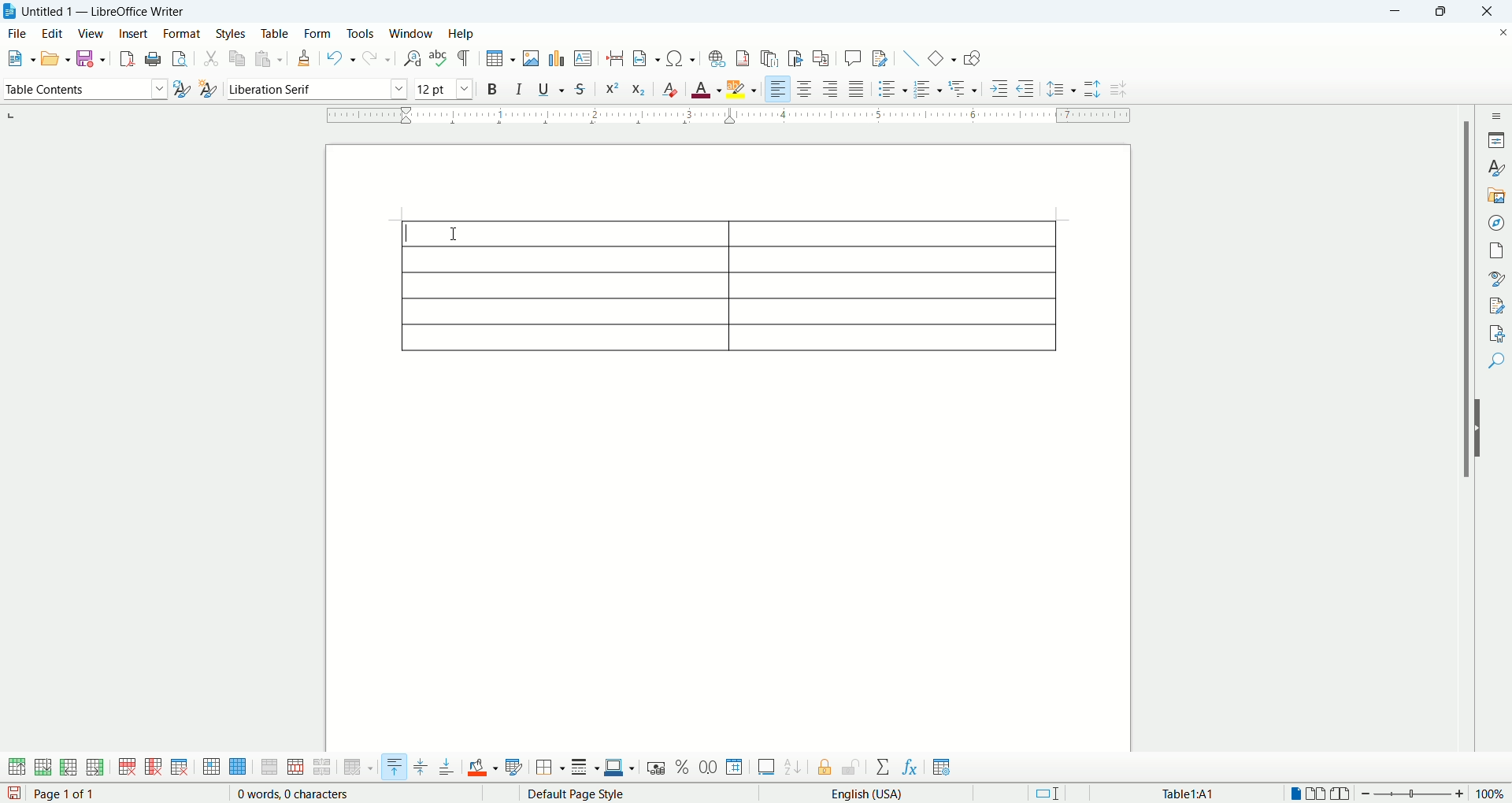 The width and height of the screenshot is (1512, 803). Describe the element at coordinates (1294, 794) in the screenshot. I see `single page view` at that location.